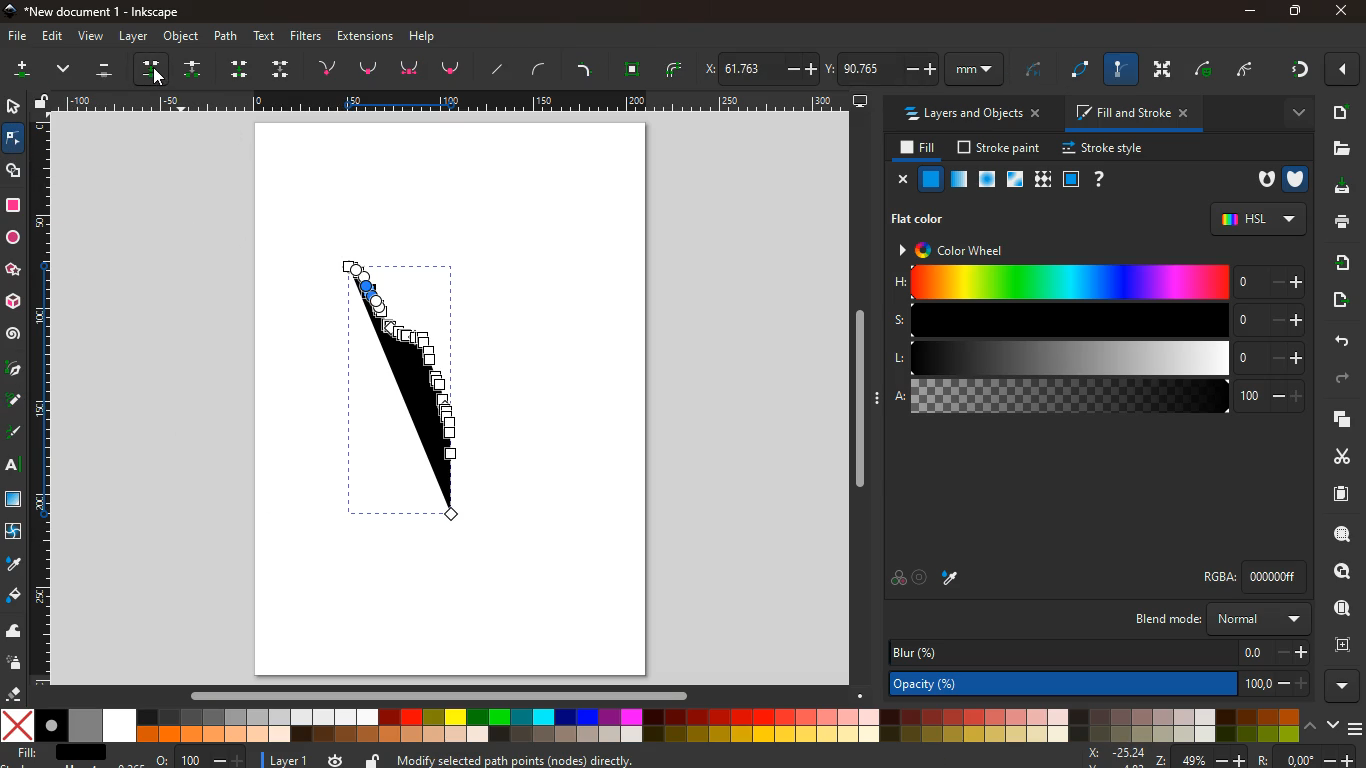 The height and width of the screenshot is (768, 1366). I want to click on ice, so click(989, 180).